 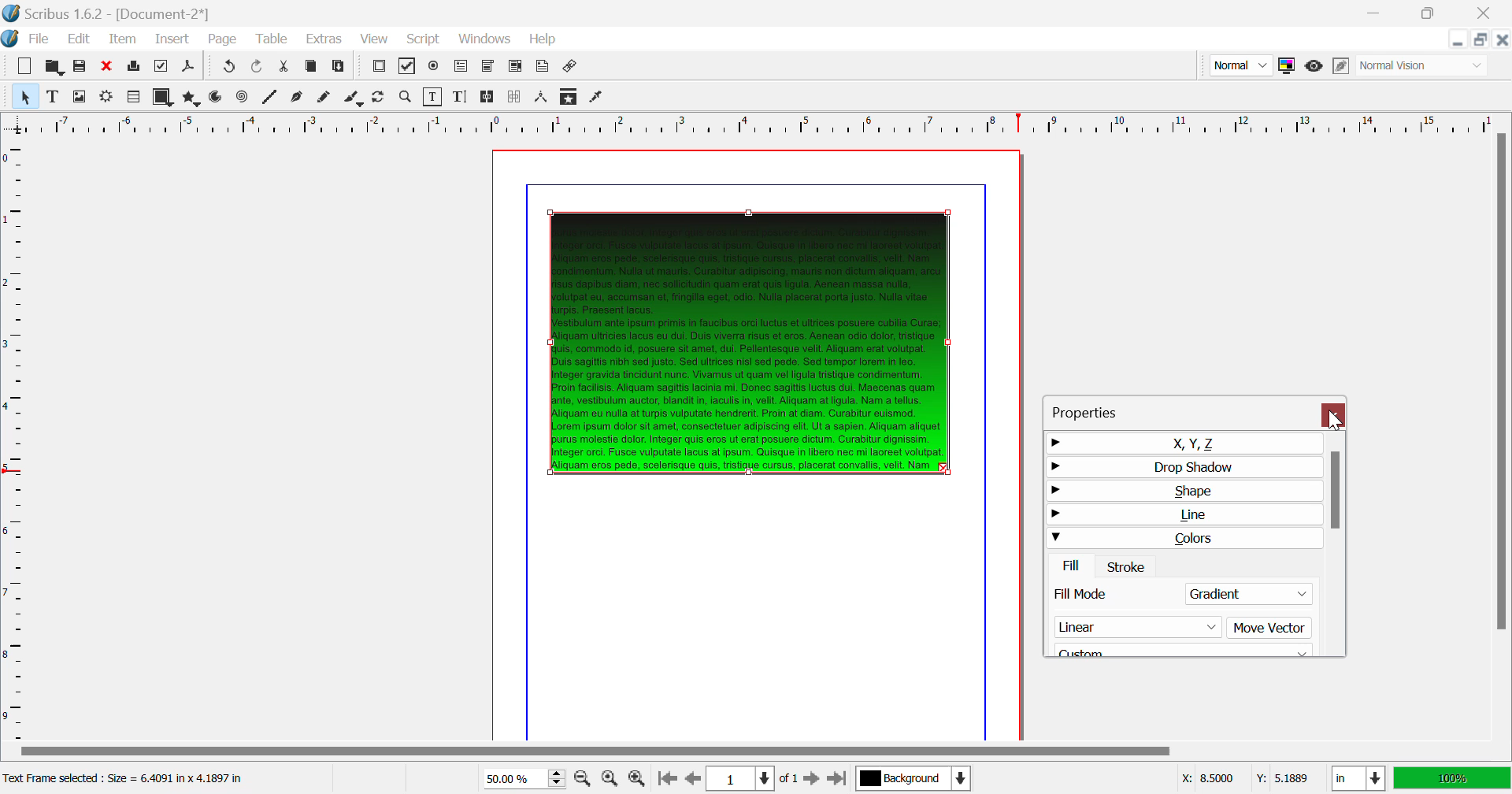 I want to click on Scroll Bar, so click(x=1336, y=544).